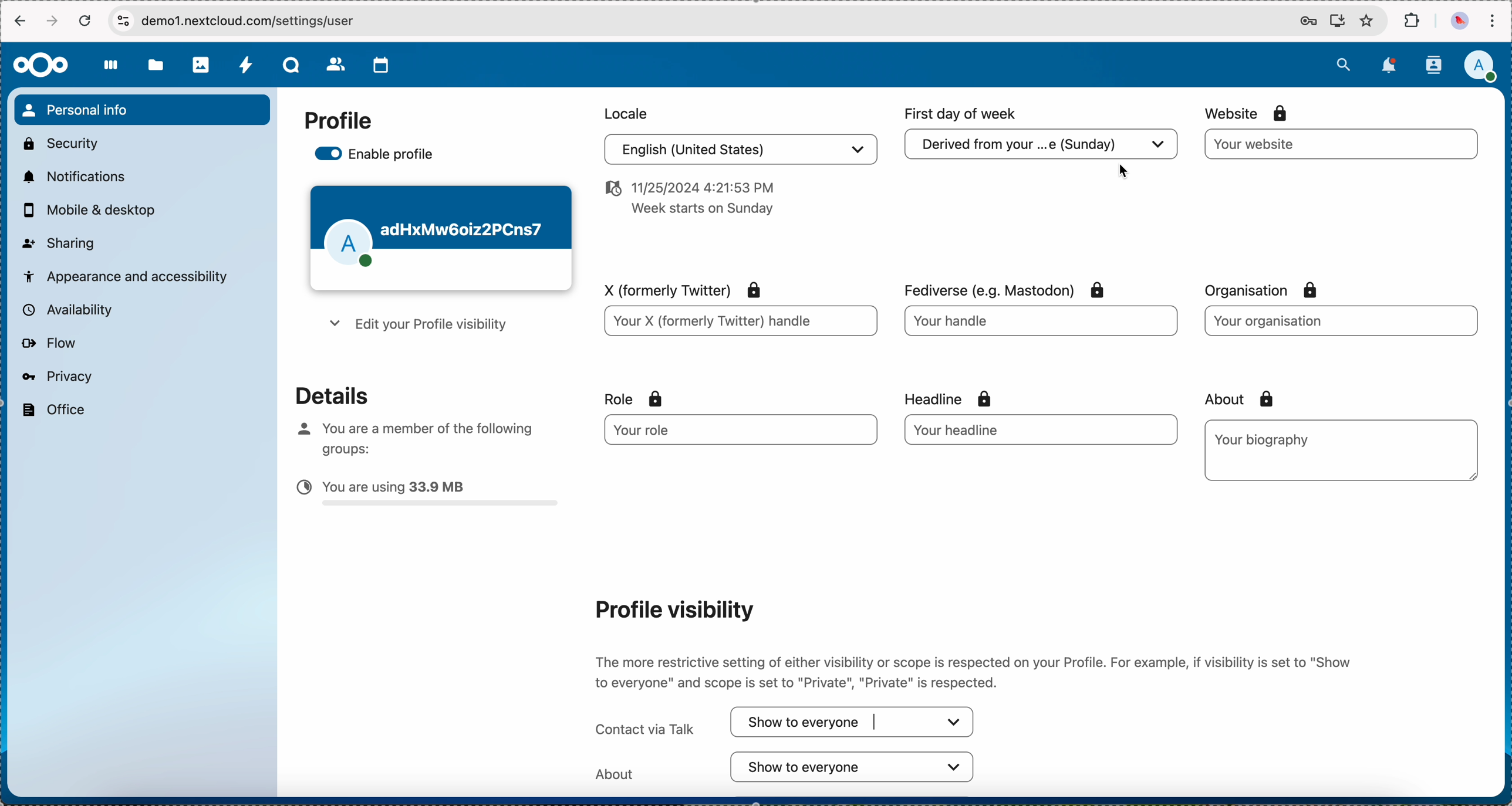 Image resolution: width=1512 pixels, height=806 pixels. Describe the element at coordinates (123, 20) in the screenshot. I see `controls` at that location.